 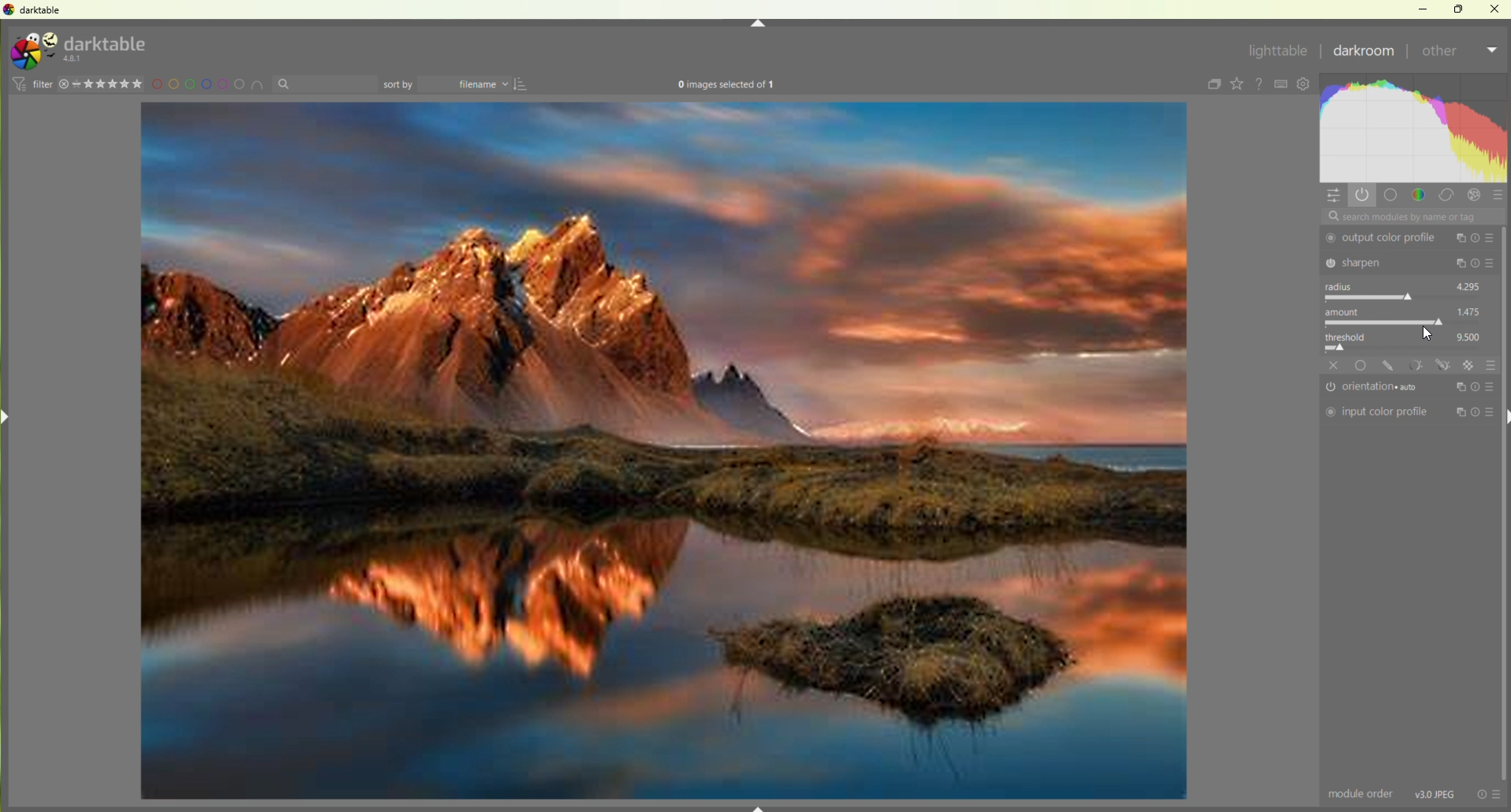 I want to click on filter by images color label, so click(x=210, y=84).